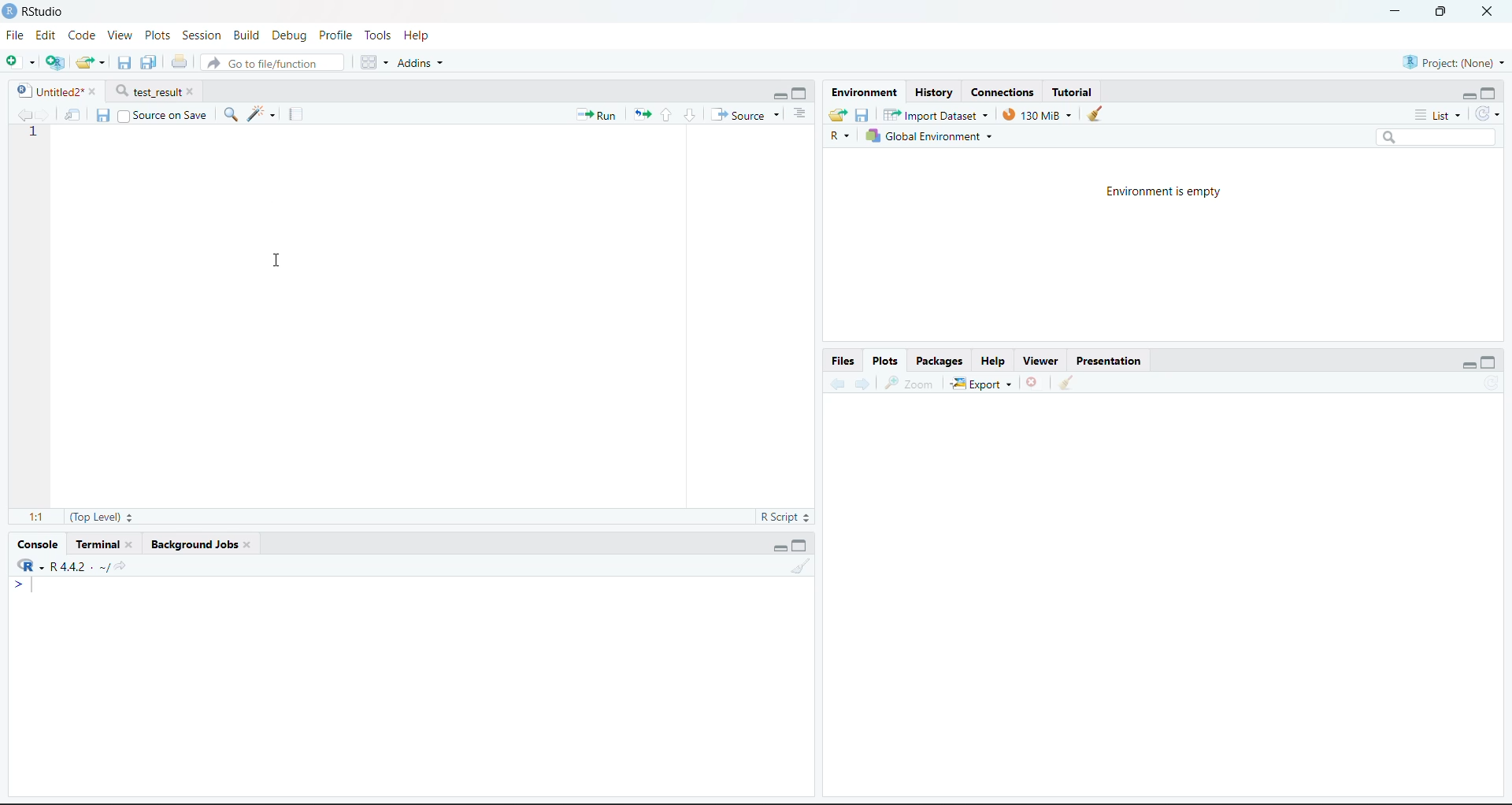 The image size is (1512, 805). Describe the element at coordinates (123, 564) in the screenshot. I see `View the current working directory` at that location.